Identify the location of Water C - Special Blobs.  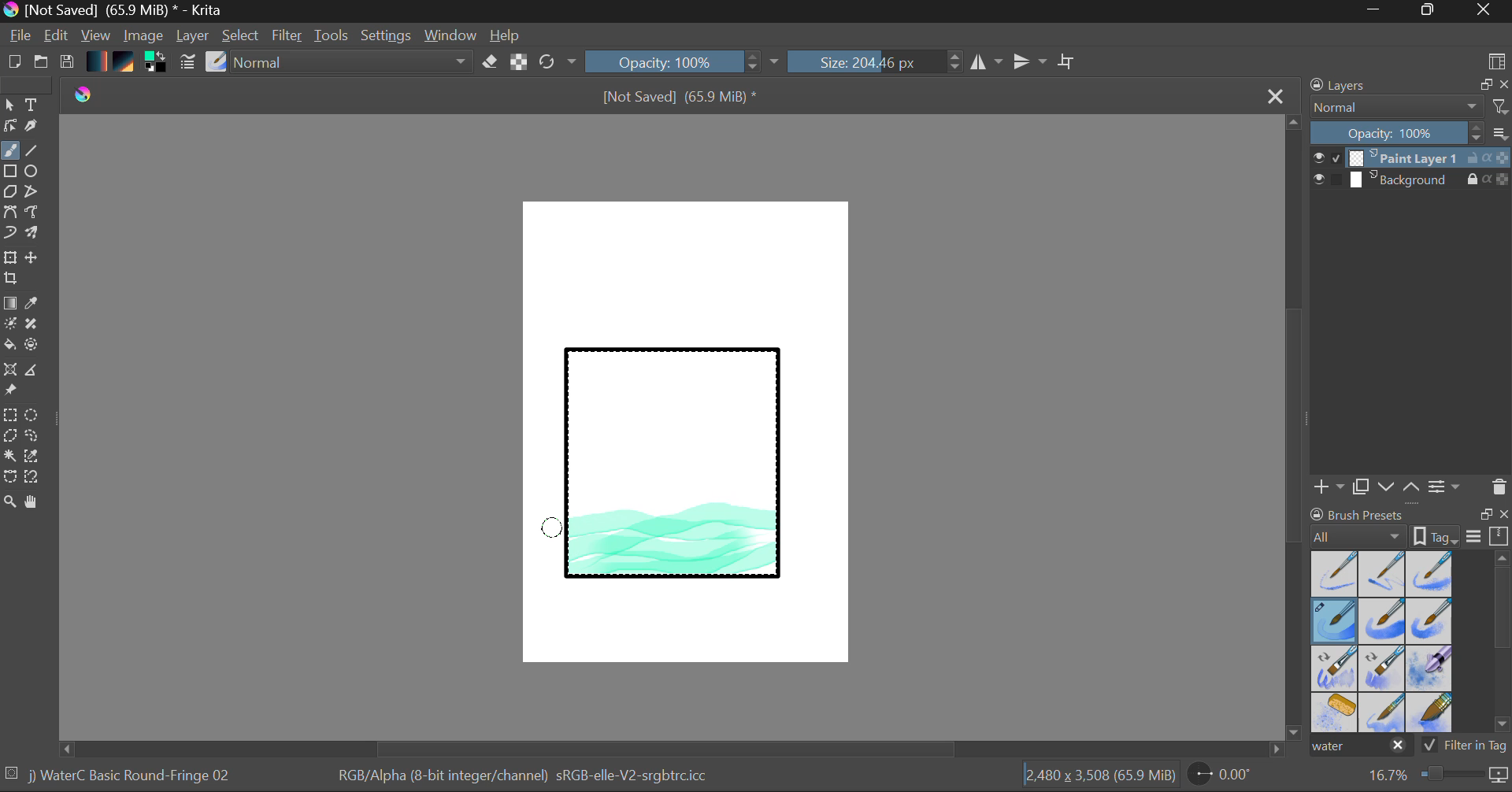
(1430, 670).